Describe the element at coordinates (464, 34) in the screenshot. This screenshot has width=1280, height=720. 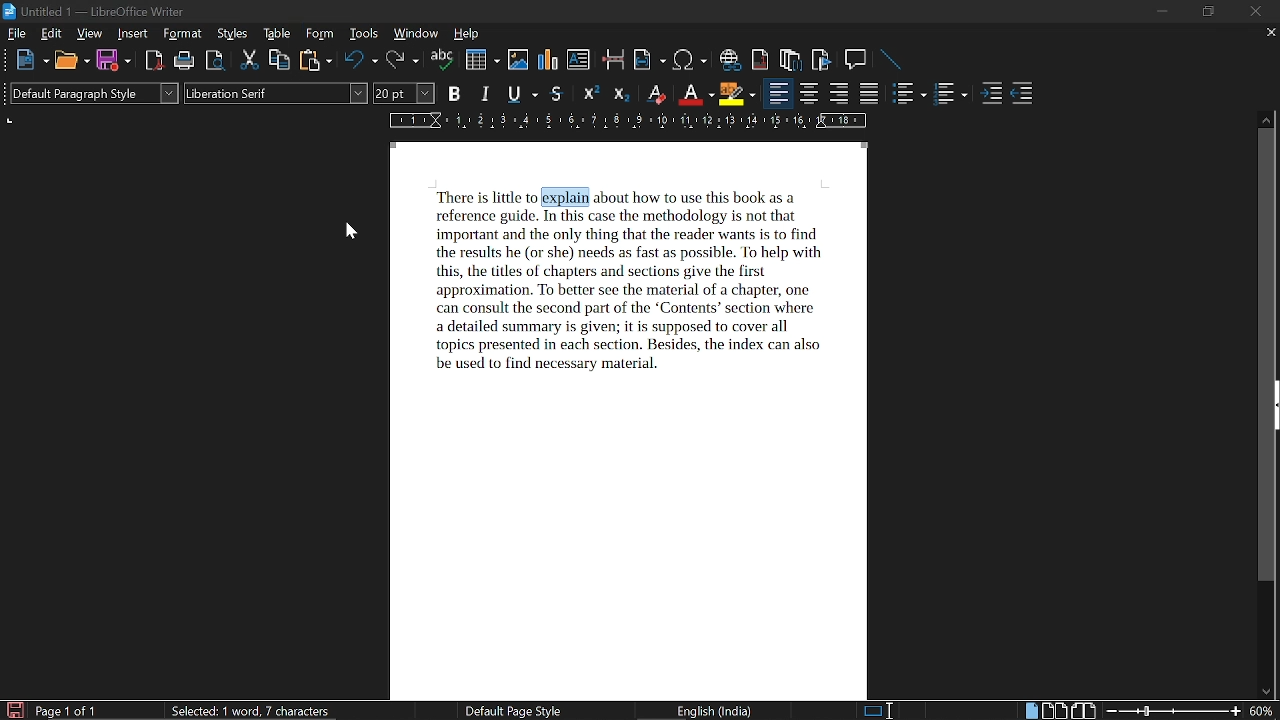
I see `help` at that location.